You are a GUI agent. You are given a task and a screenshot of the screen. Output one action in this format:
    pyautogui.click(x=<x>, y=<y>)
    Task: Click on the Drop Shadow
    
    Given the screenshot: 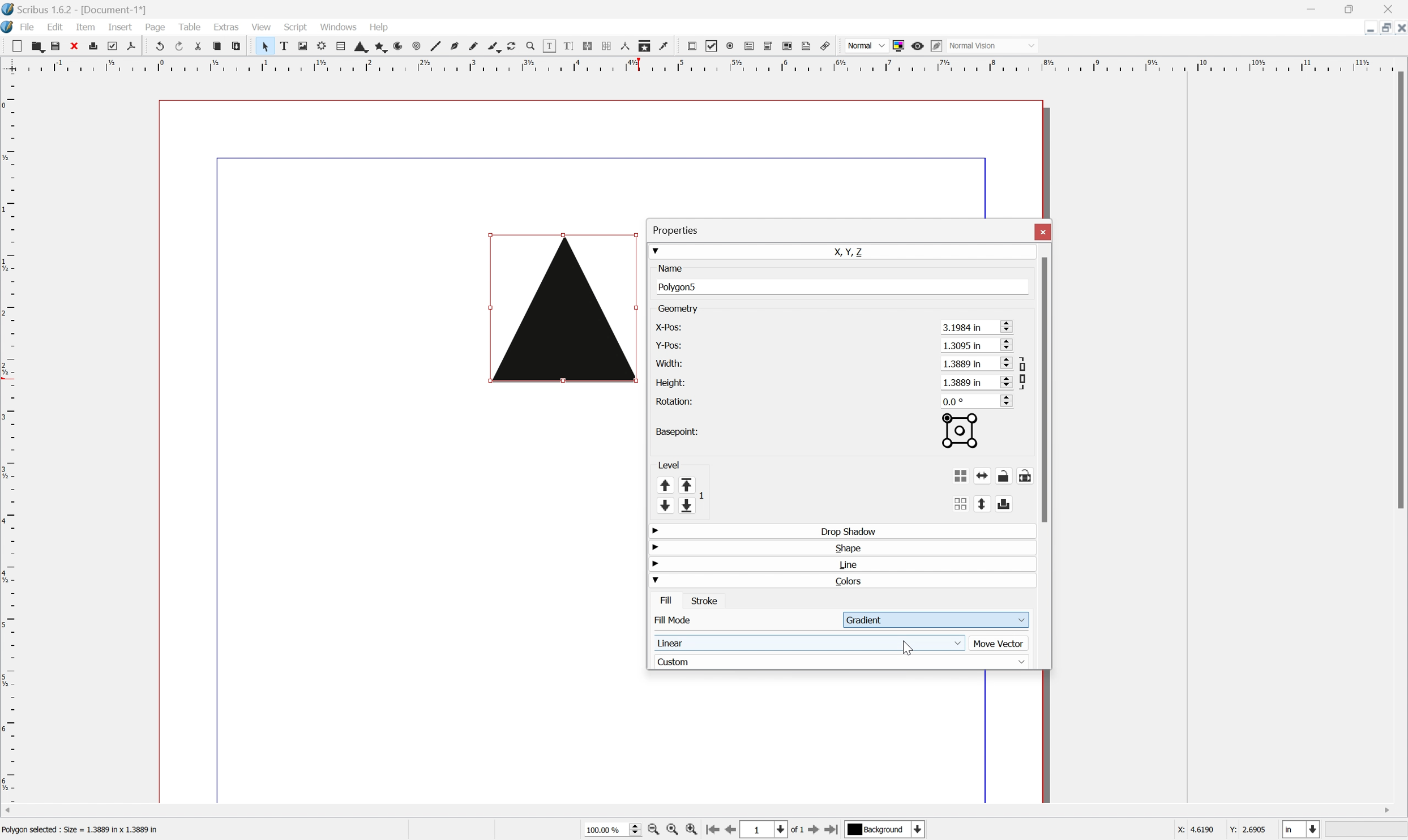 What is the action you would take?
    pyautogui.click(x=854, y=530)
    